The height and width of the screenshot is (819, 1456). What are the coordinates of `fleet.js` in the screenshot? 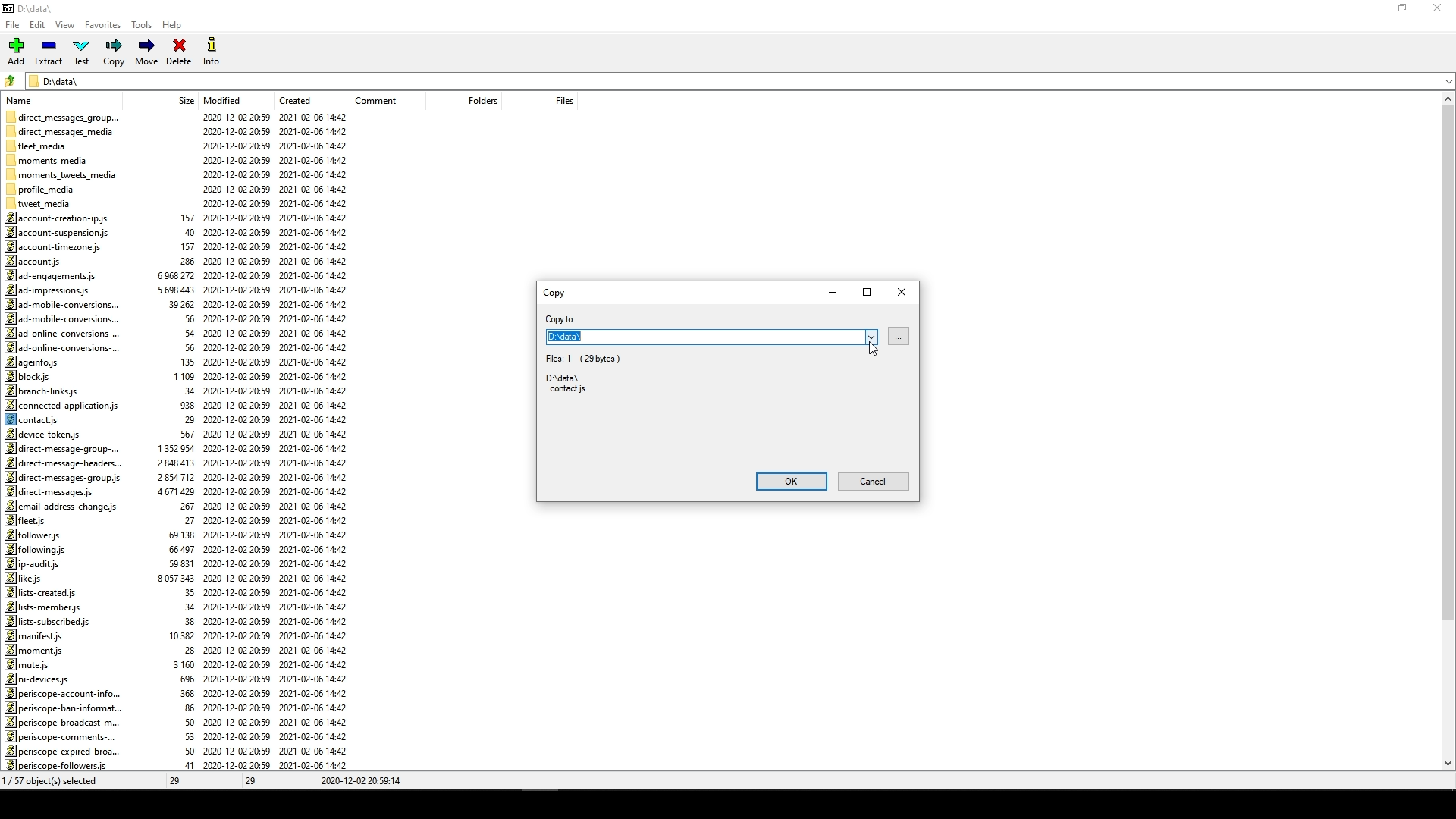 It's located at (28, 520).